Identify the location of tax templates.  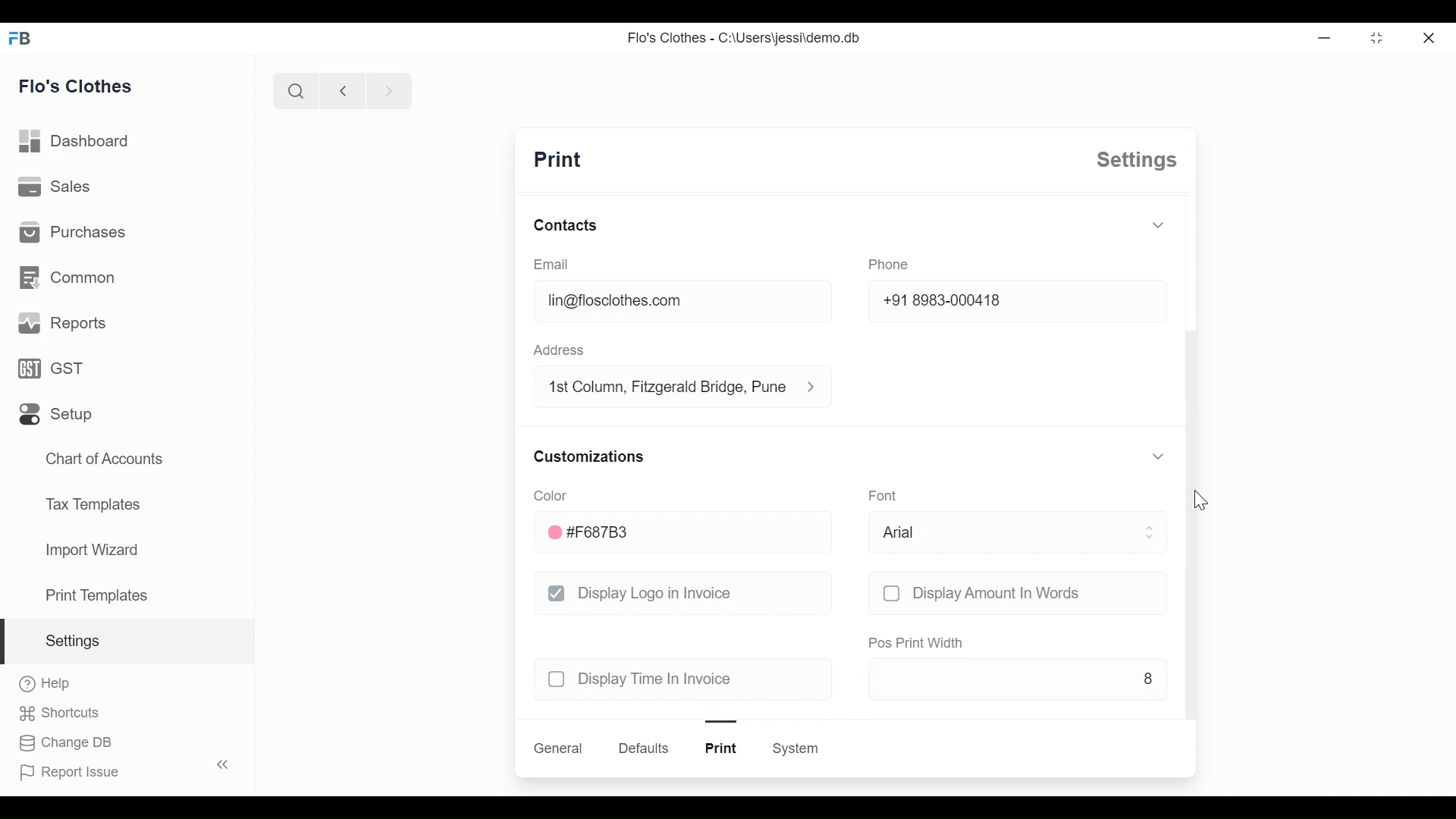
(90, 503).